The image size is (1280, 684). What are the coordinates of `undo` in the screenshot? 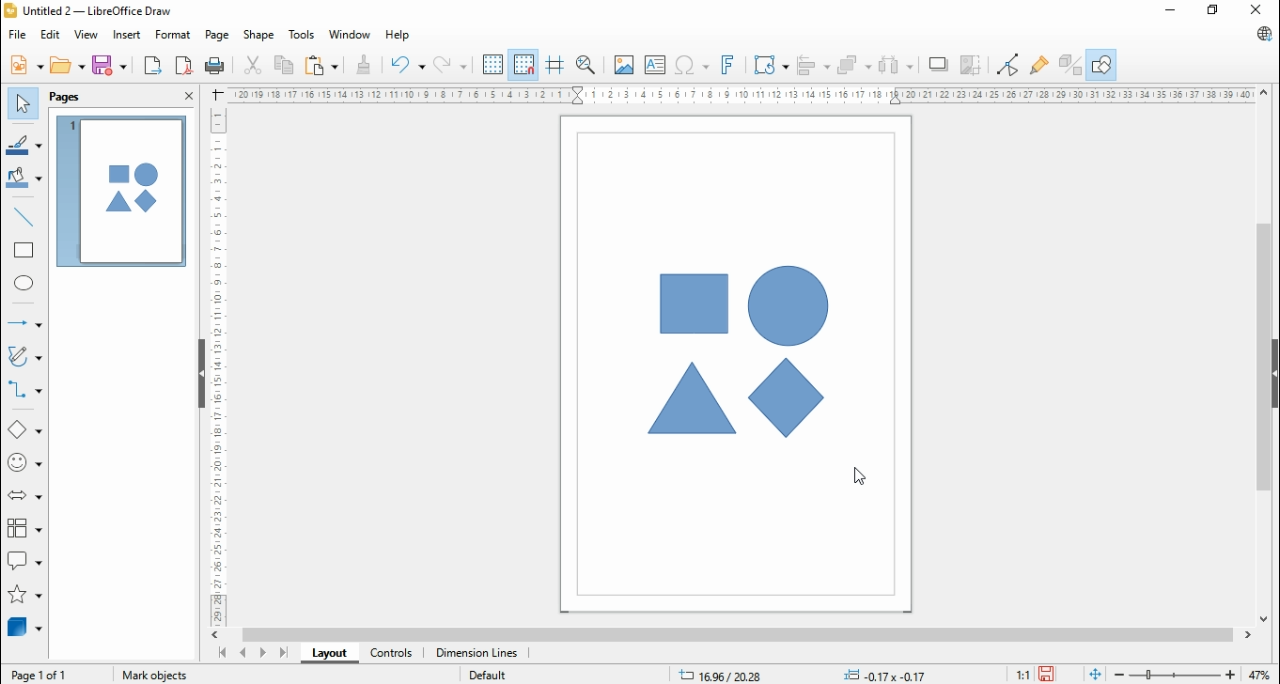 It's located at (408, 66).